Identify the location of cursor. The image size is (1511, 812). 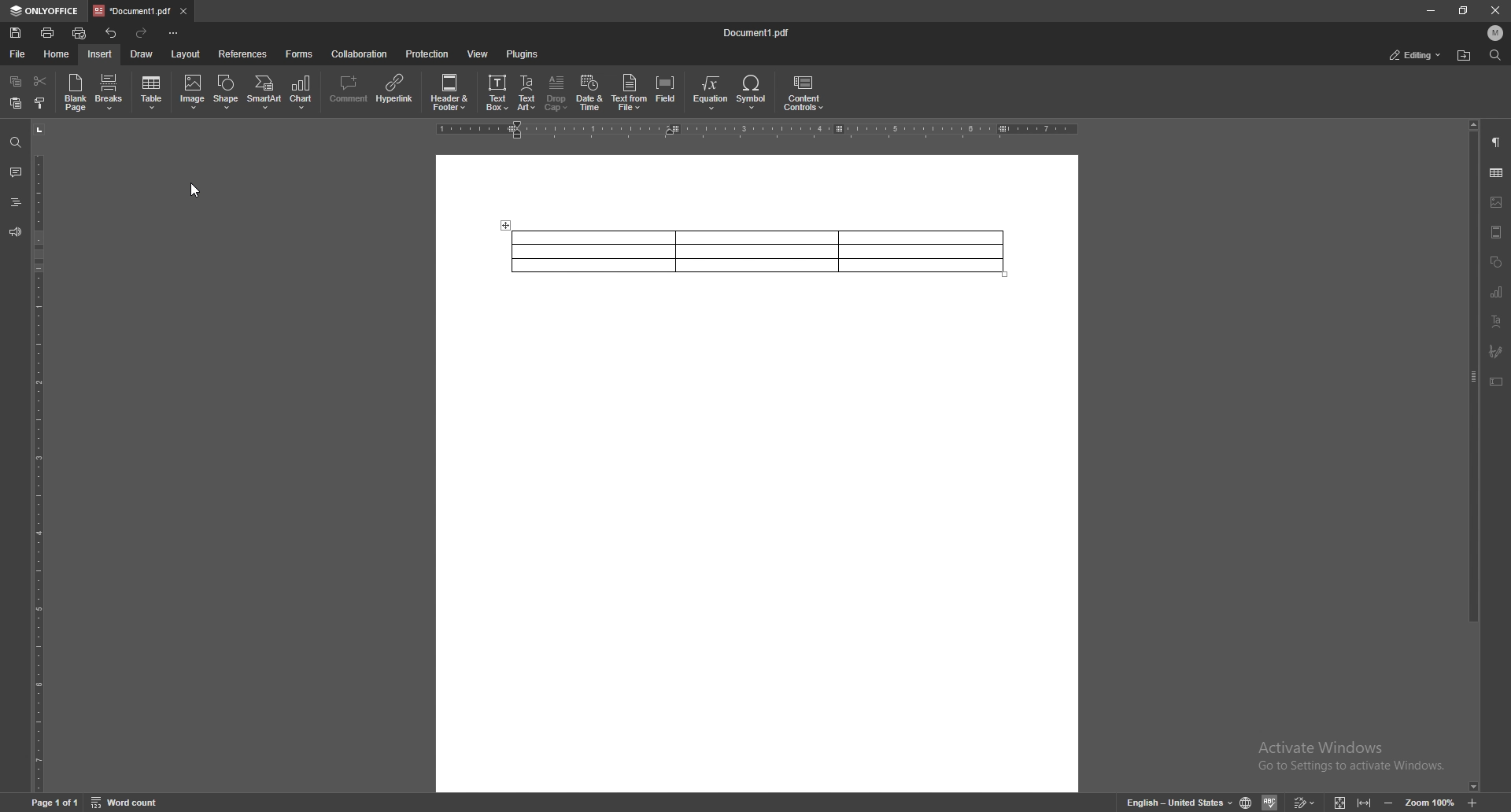
(201, 186).